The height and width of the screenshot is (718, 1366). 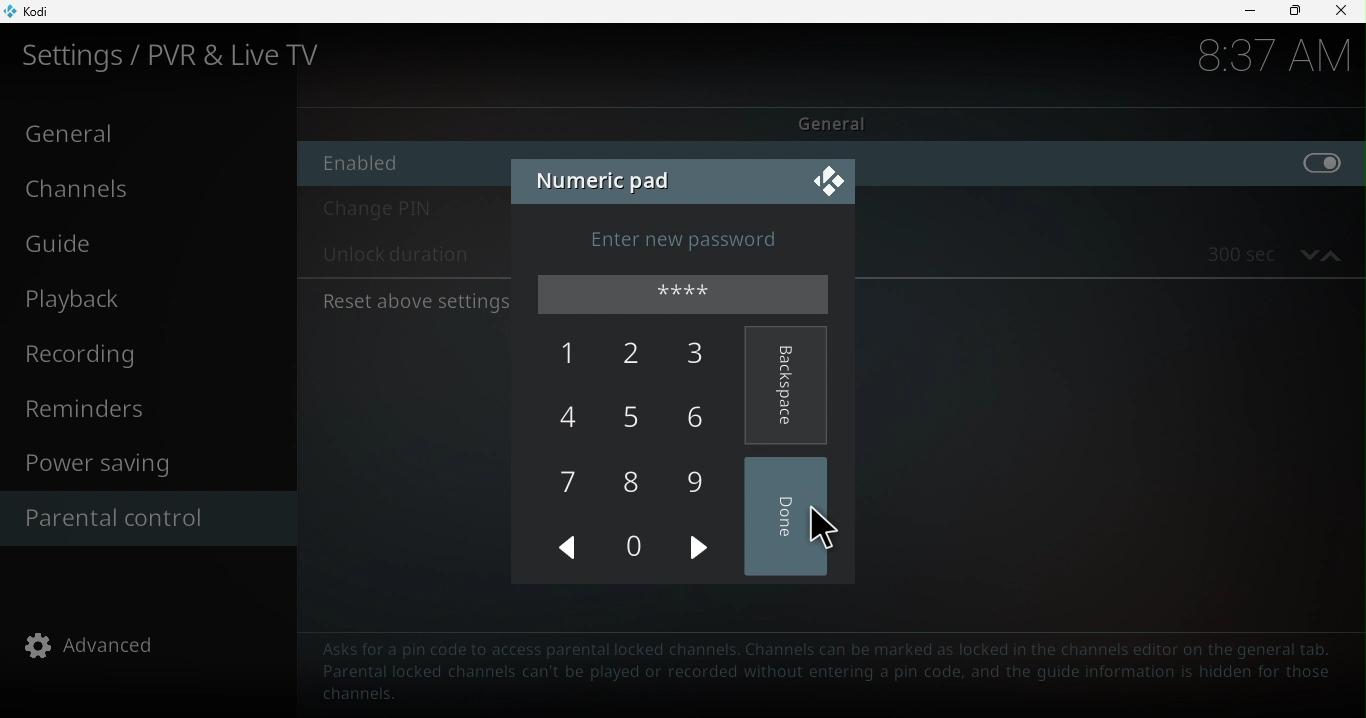 What do you see at coordinates (635, 481) in the screenshot?
I see `8` at bounding box center [635, 481].